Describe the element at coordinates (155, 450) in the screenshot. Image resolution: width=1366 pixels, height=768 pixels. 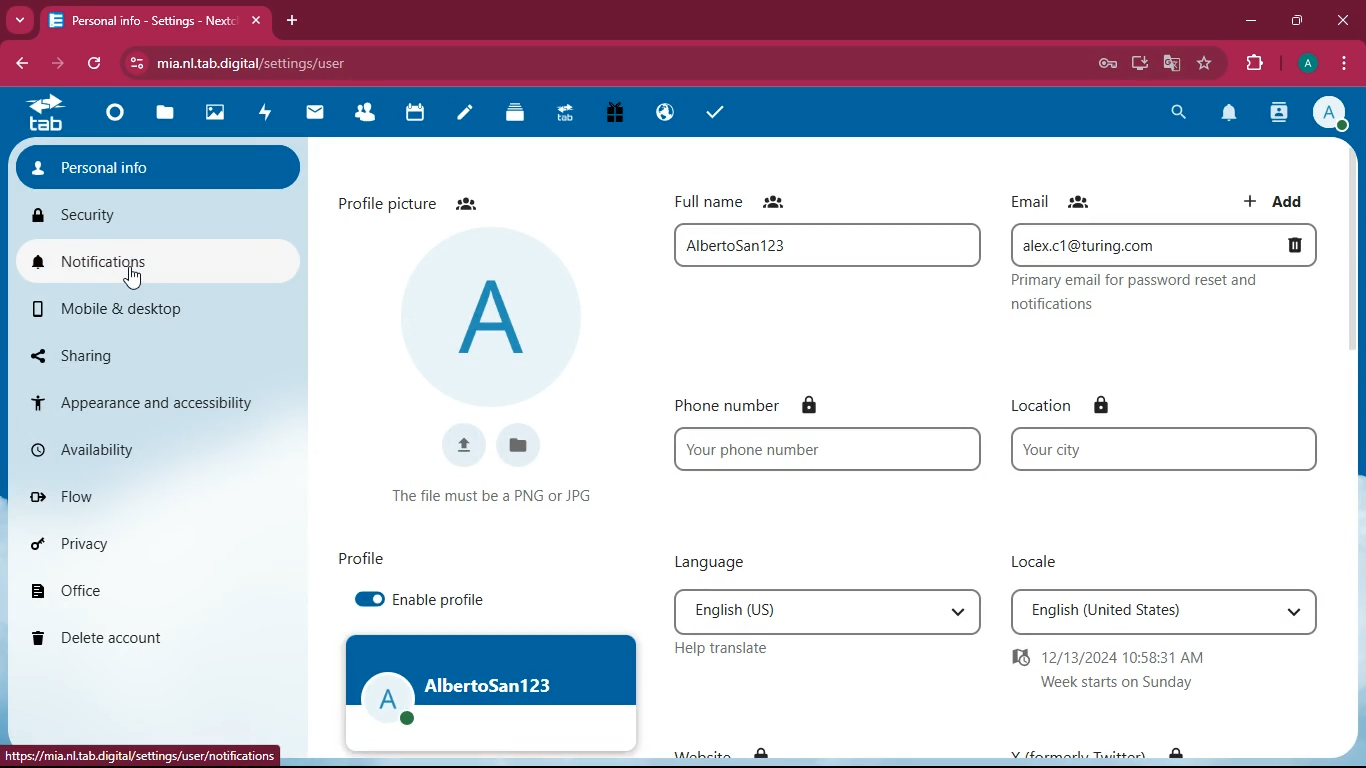
I see `availability` at that location.